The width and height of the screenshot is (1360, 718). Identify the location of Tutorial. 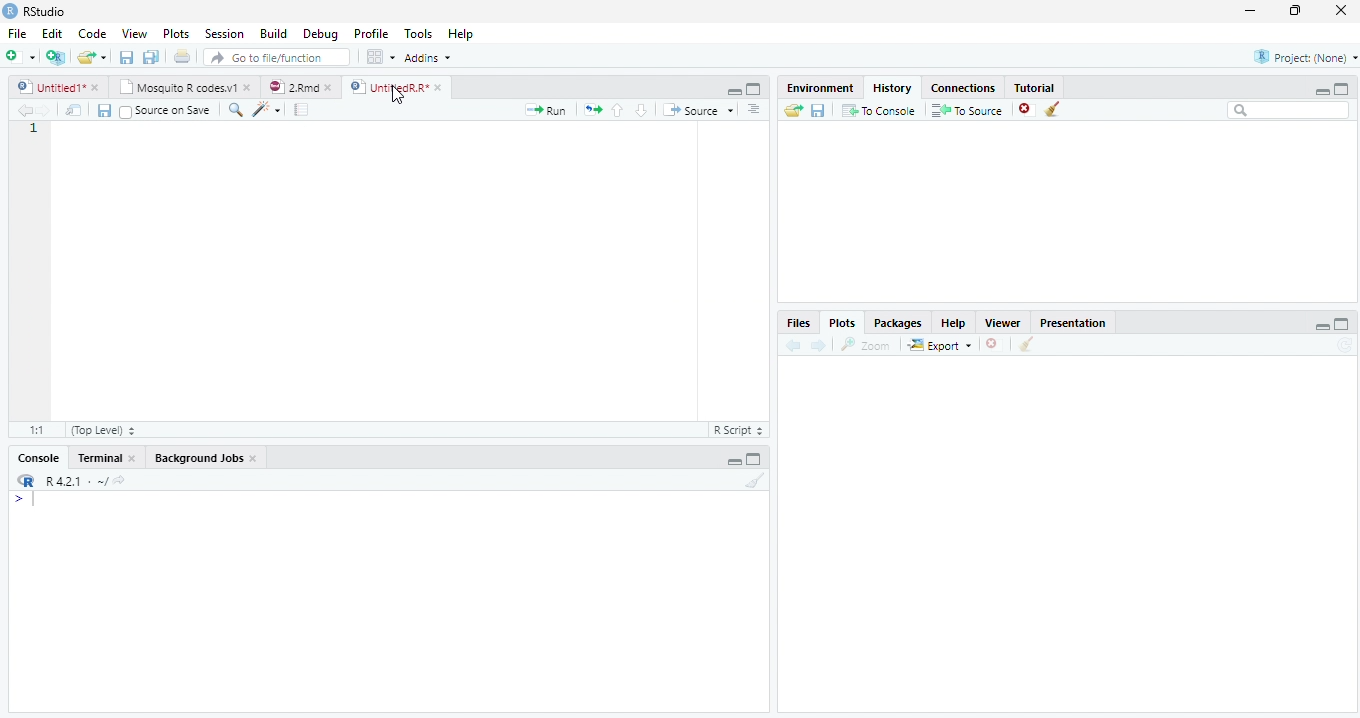
(1035, 87).